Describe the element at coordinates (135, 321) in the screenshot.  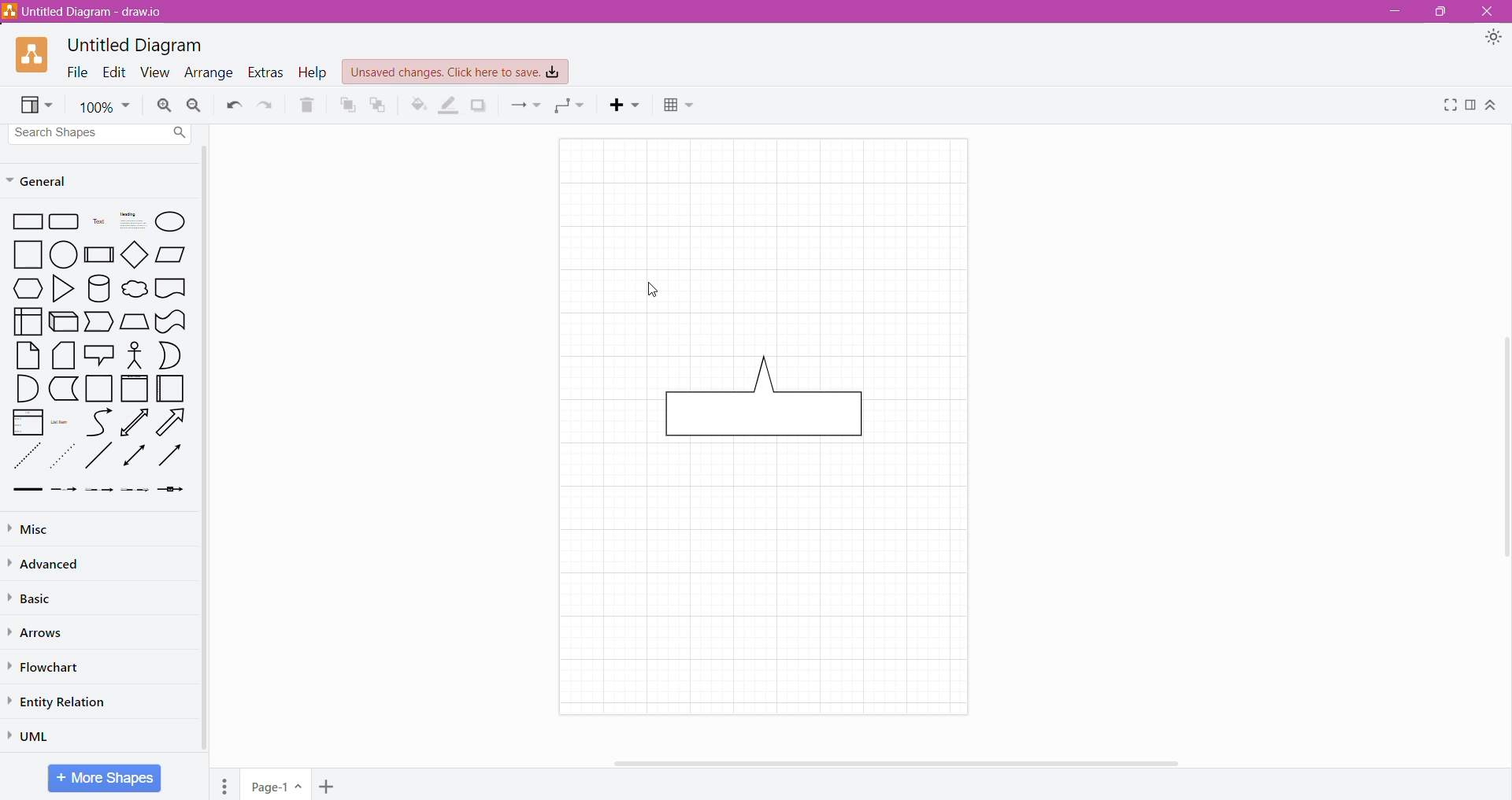
I see `manual input` at that location.